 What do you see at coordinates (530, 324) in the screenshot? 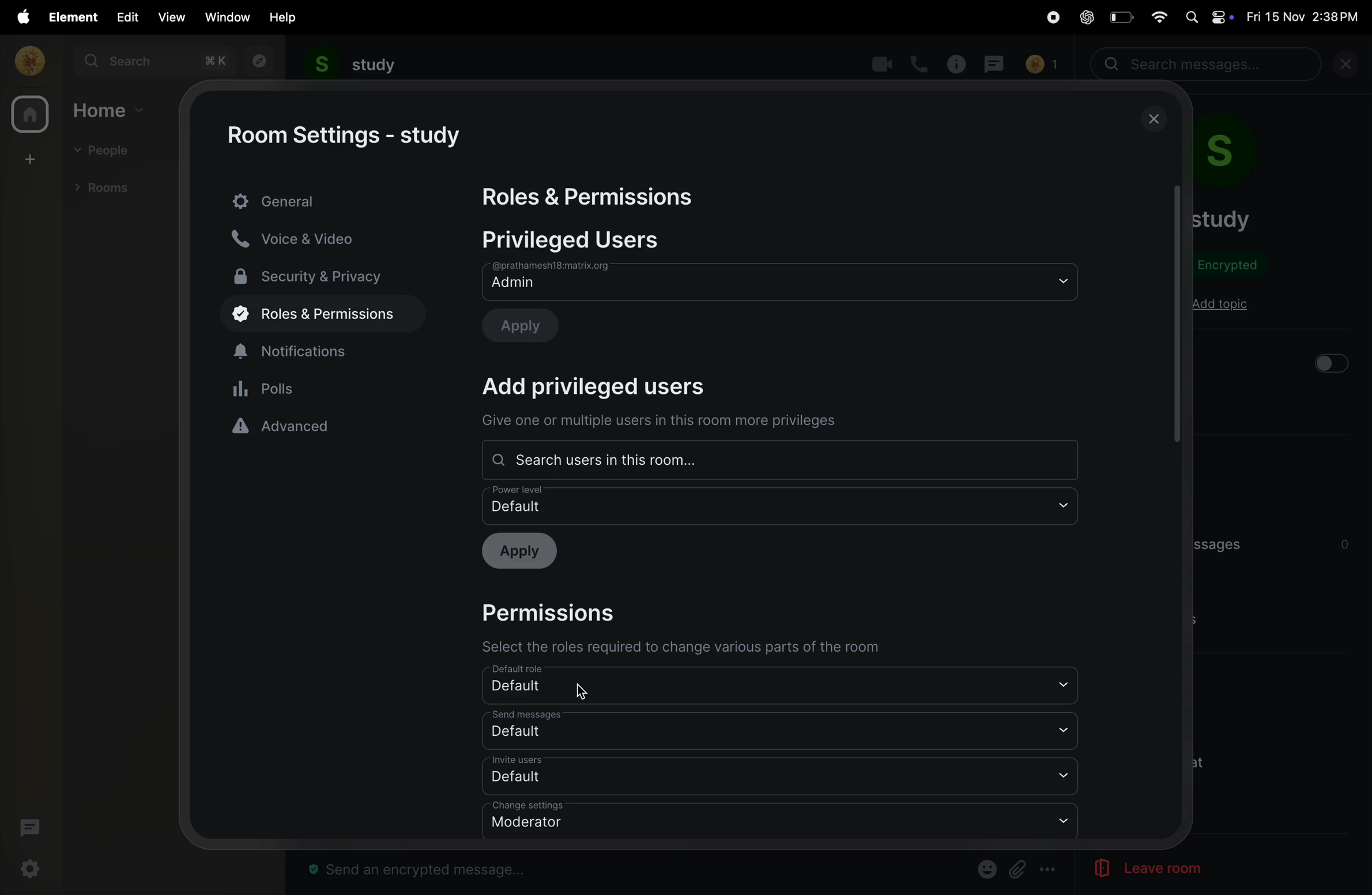
I see `Apply` at bounding box center [530, 324].